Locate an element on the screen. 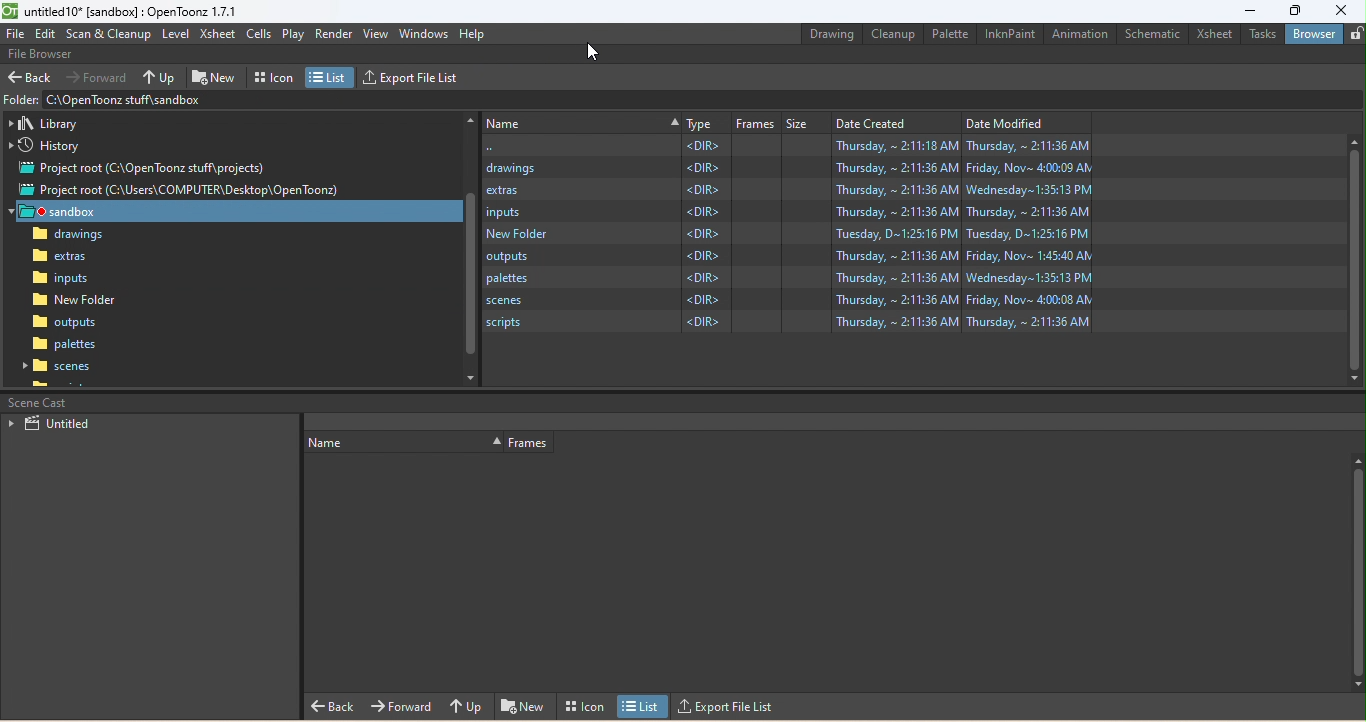 The image size is (1366, 722). Library is located at coordinates (46, 125).